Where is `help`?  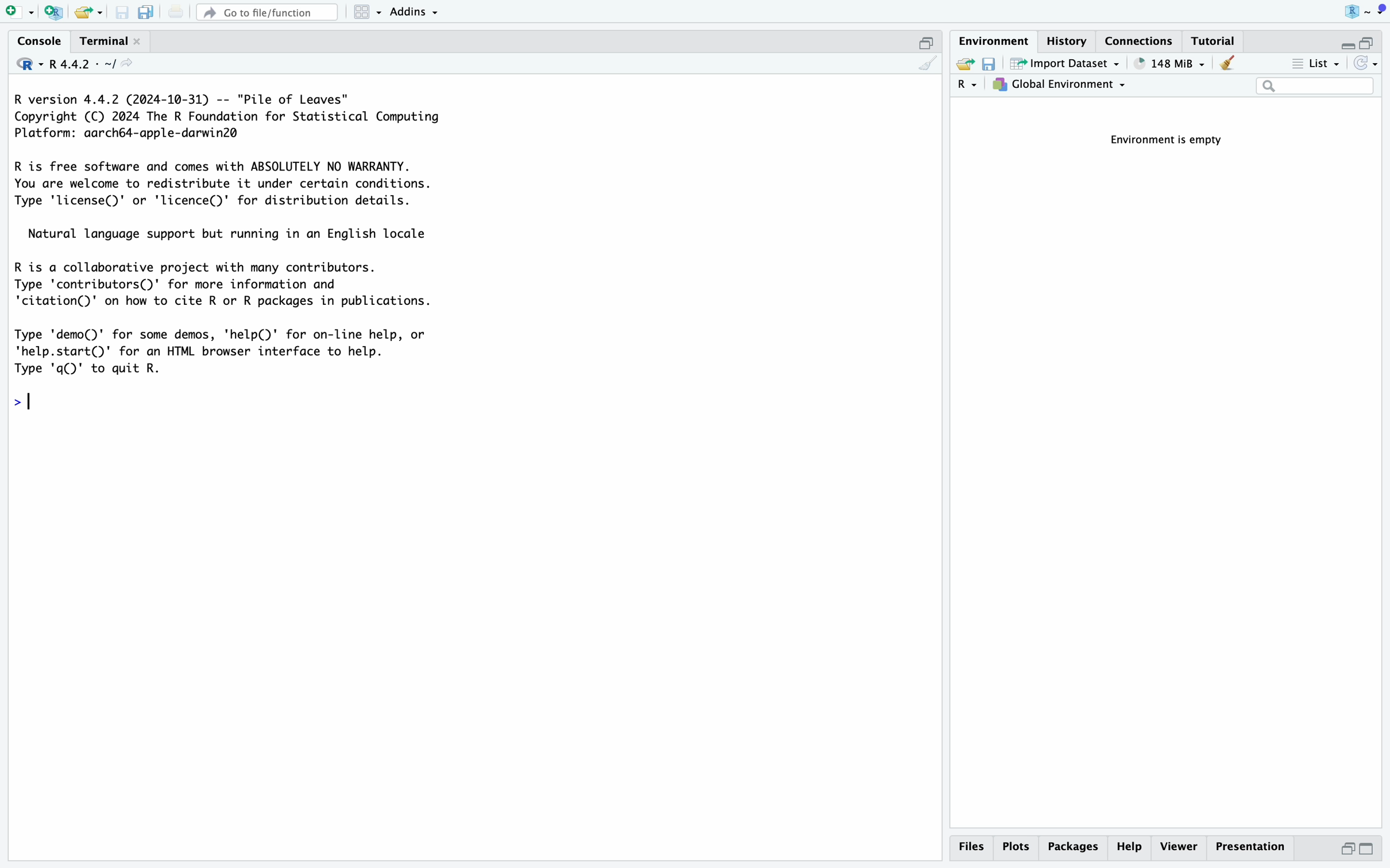
help is located at coordinates (1129, 848).